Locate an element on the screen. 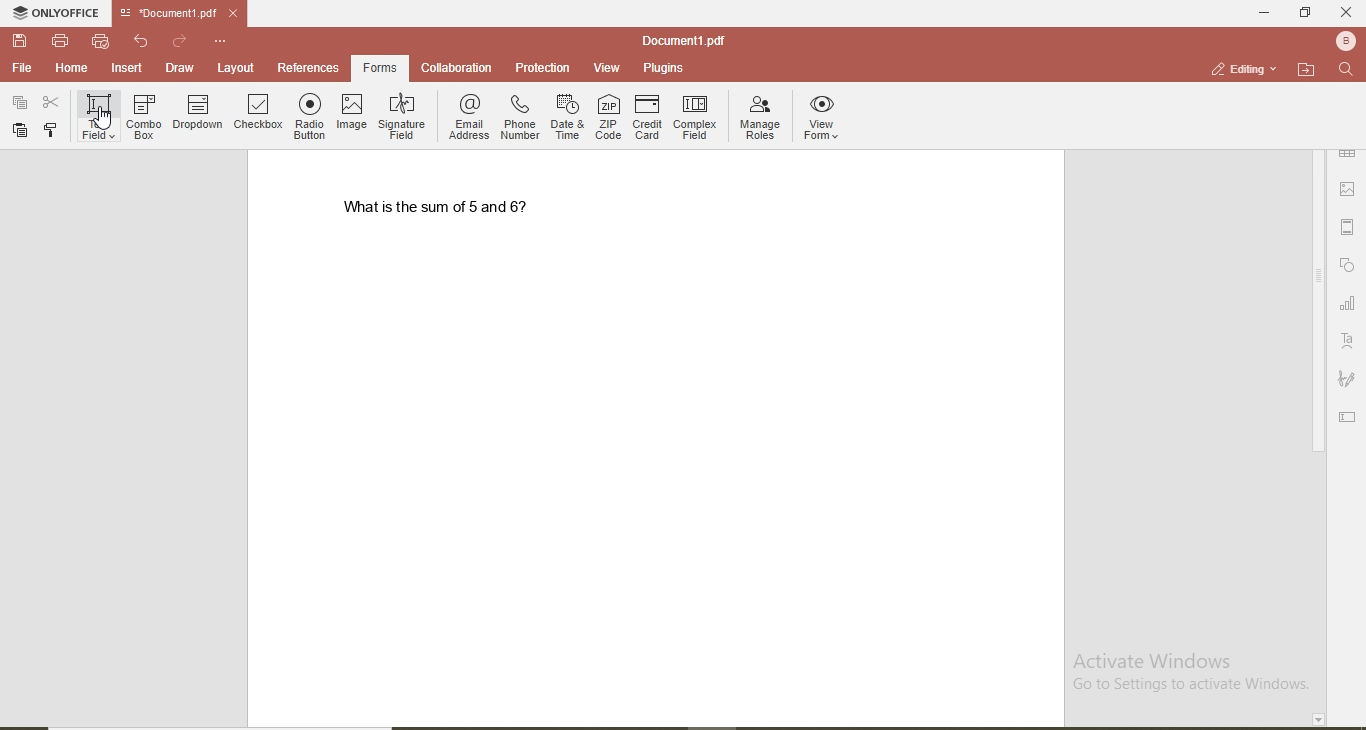  protection is located at coordinates (543, 68).